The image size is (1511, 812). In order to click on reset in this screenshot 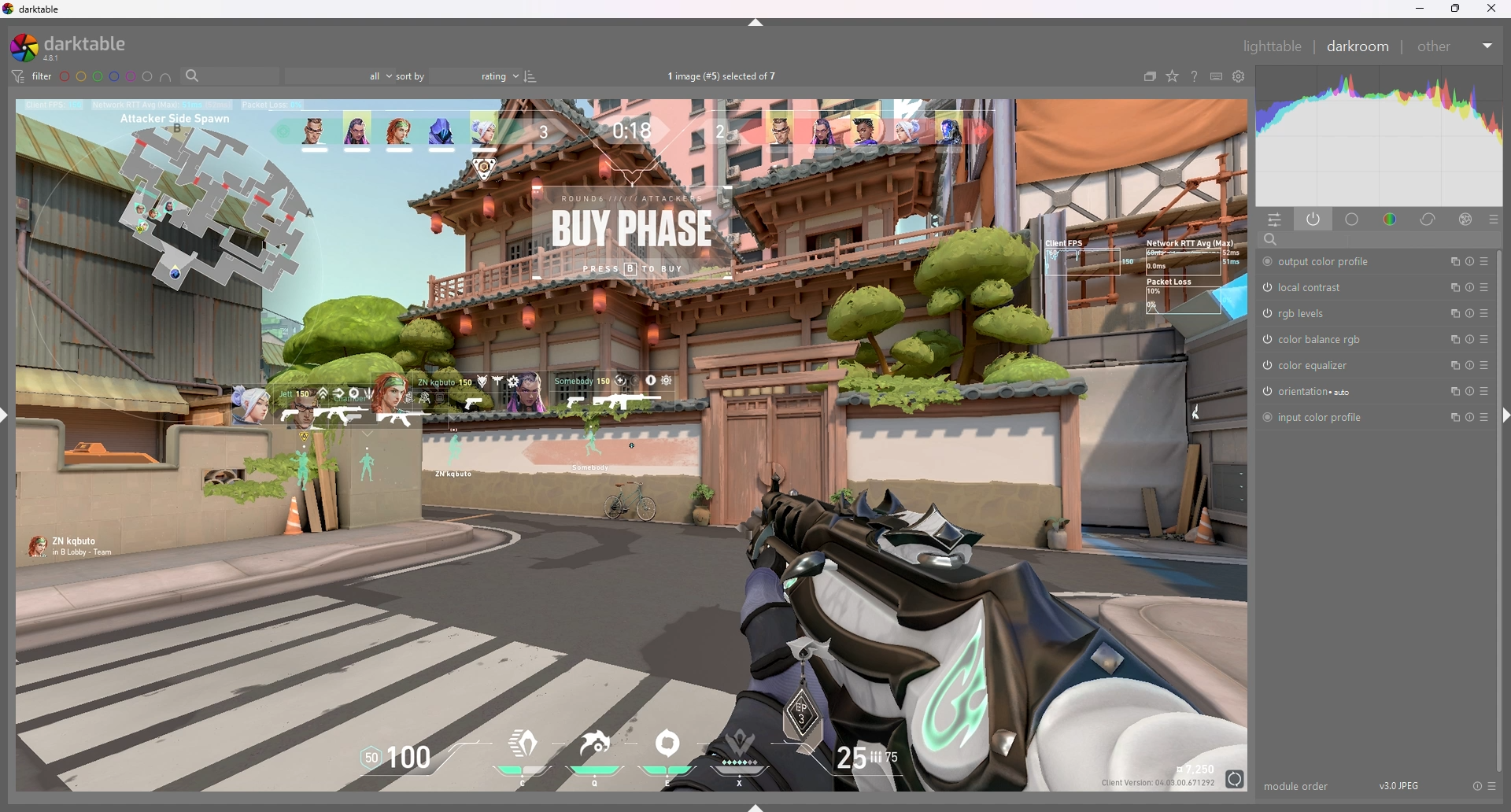, I will do `click(1472, 313)`.